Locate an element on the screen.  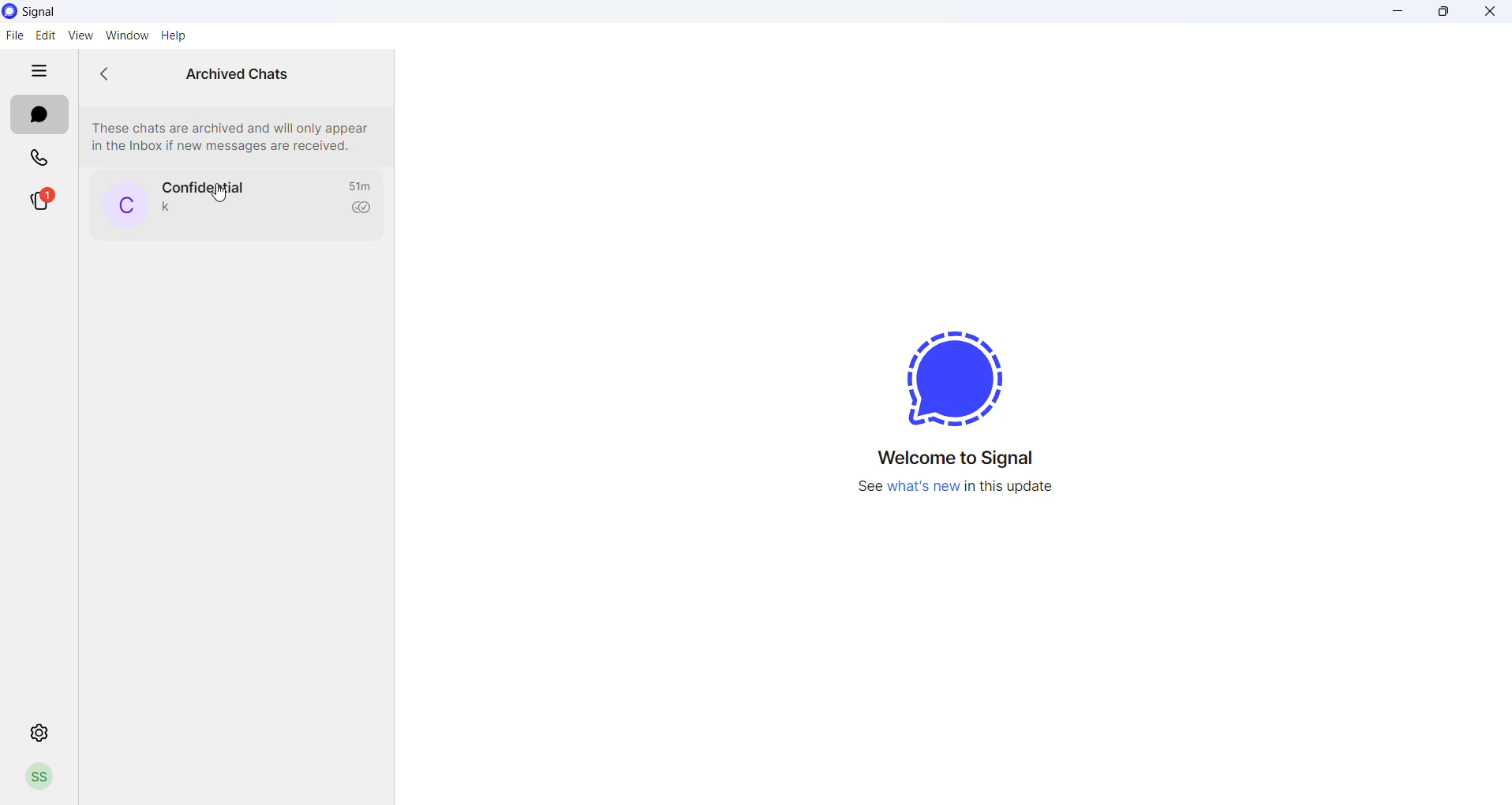
application name and logo is located at coordinates (50, 12).